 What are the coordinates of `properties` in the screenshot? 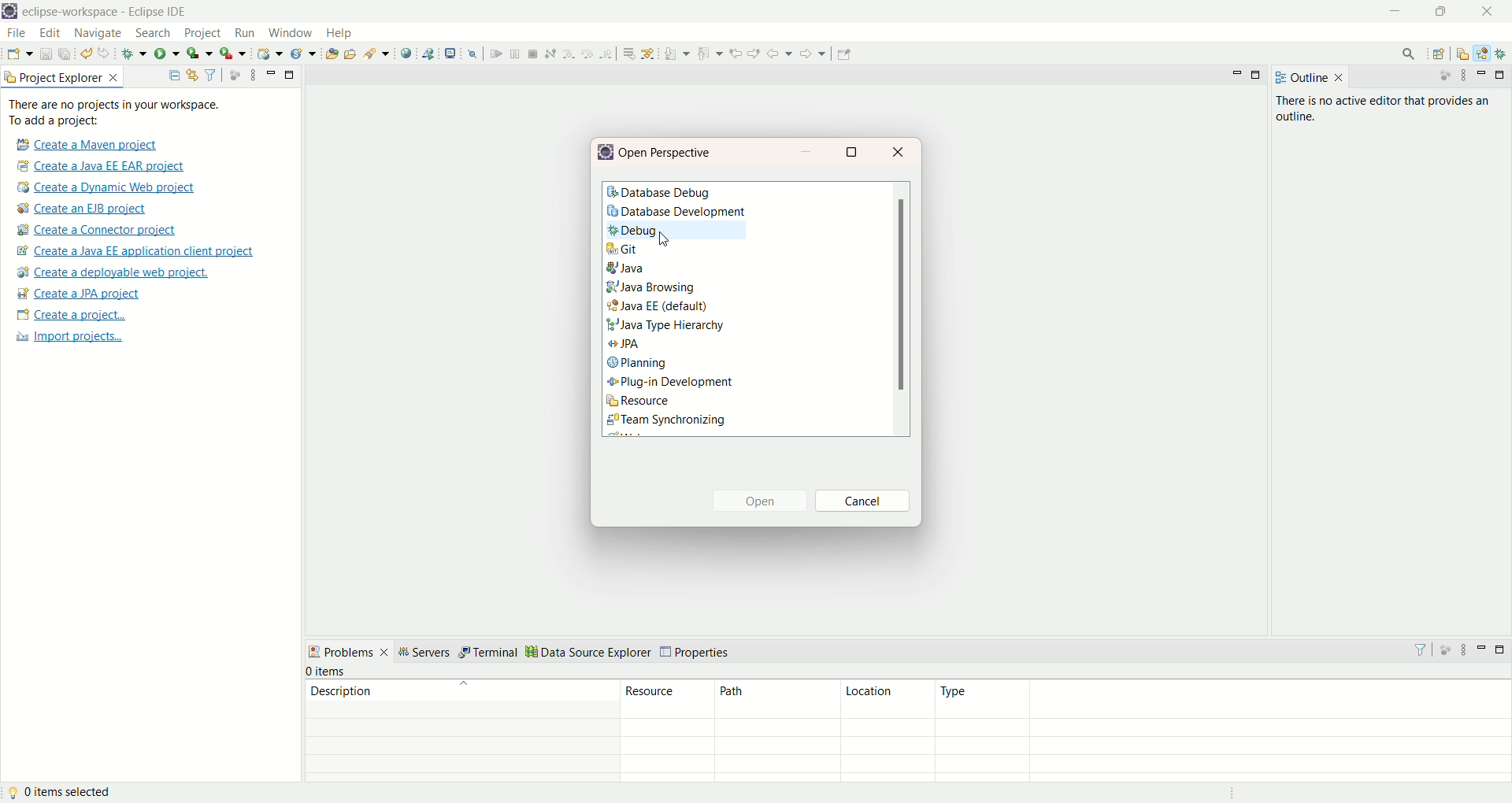 It's located at (696, 651).